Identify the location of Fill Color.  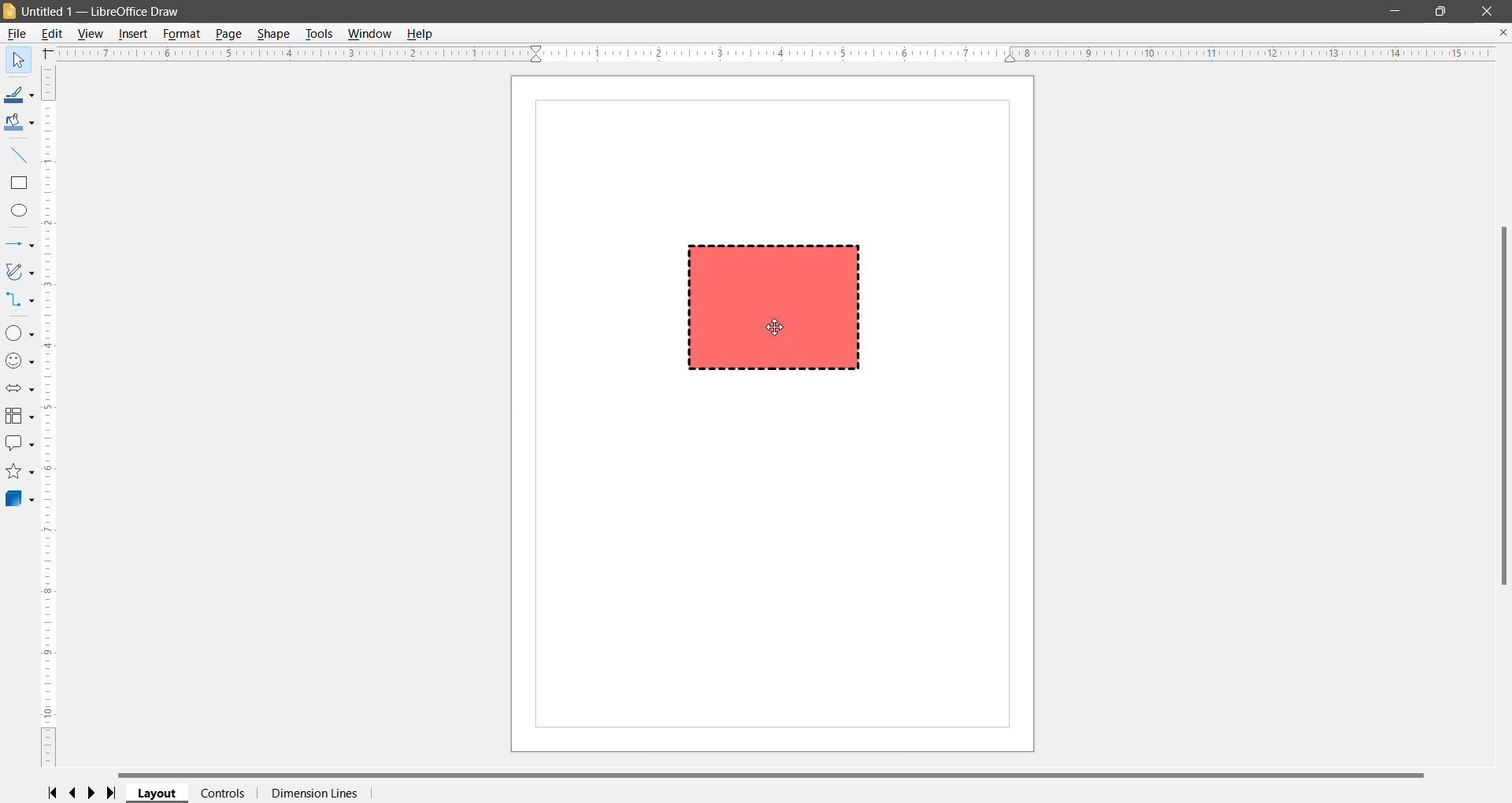
(20, 124).